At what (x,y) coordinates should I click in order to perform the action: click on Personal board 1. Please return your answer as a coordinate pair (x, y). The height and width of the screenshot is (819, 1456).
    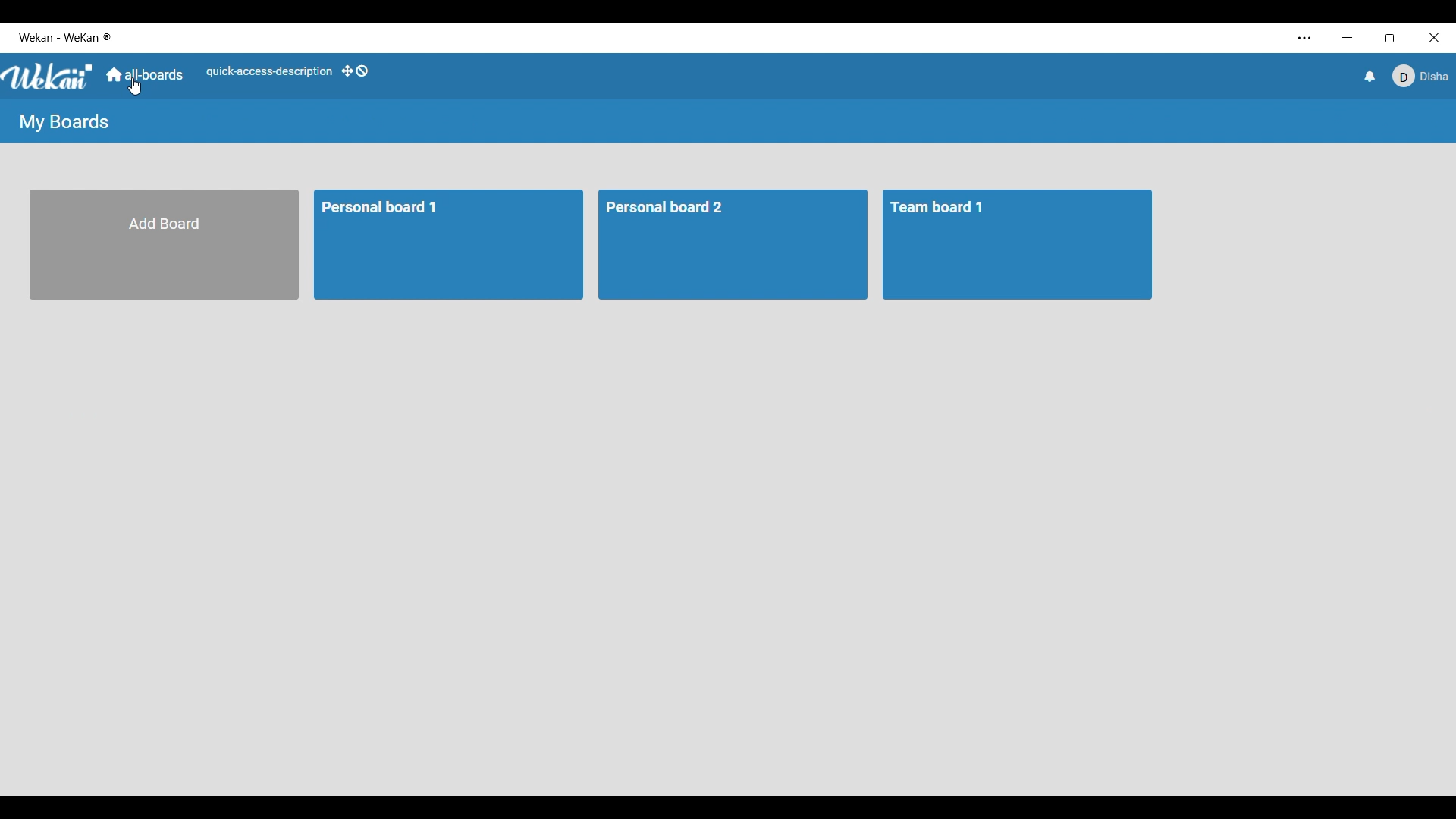
    Looking at the image, I should click on (388, 212).